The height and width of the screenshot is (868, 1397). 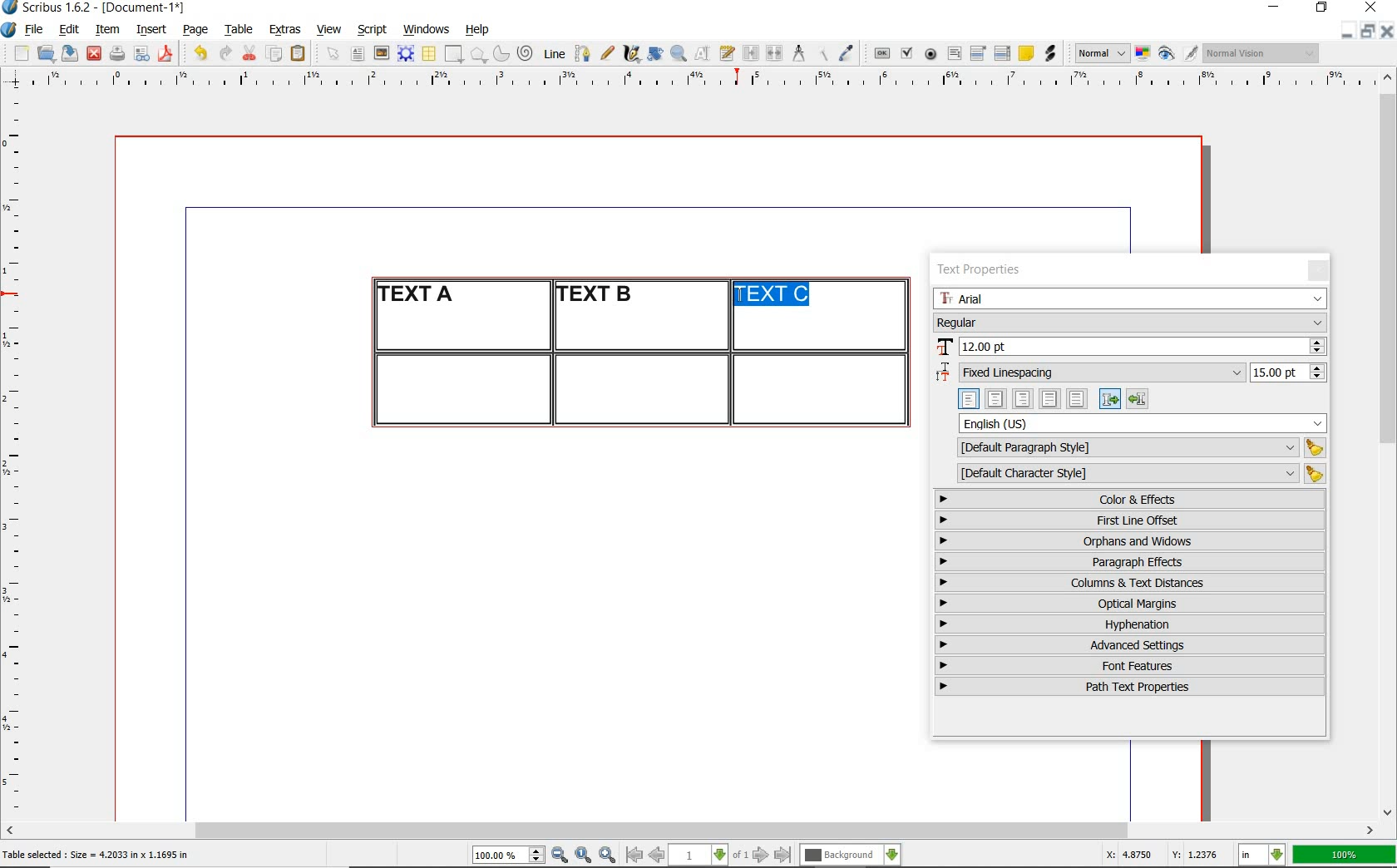 What do you see at coordinates (1133, 583) in the screenshot?
I see `columns & text distances` at bounding box center [1133, 583].